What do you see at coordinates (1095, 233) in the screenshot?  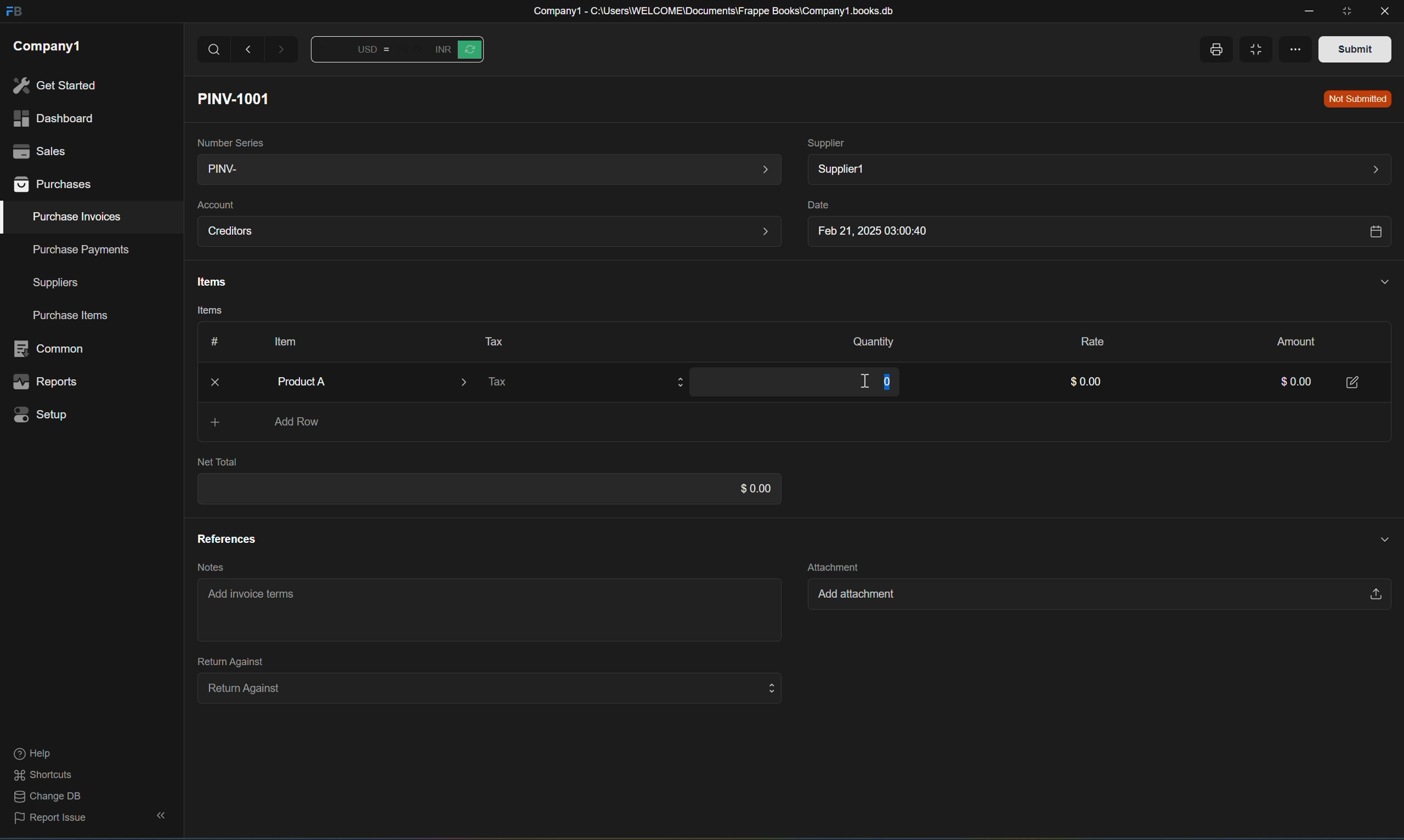 I see `Feb 21, 2025 03:00:40` at bounding box center [1095, 233].